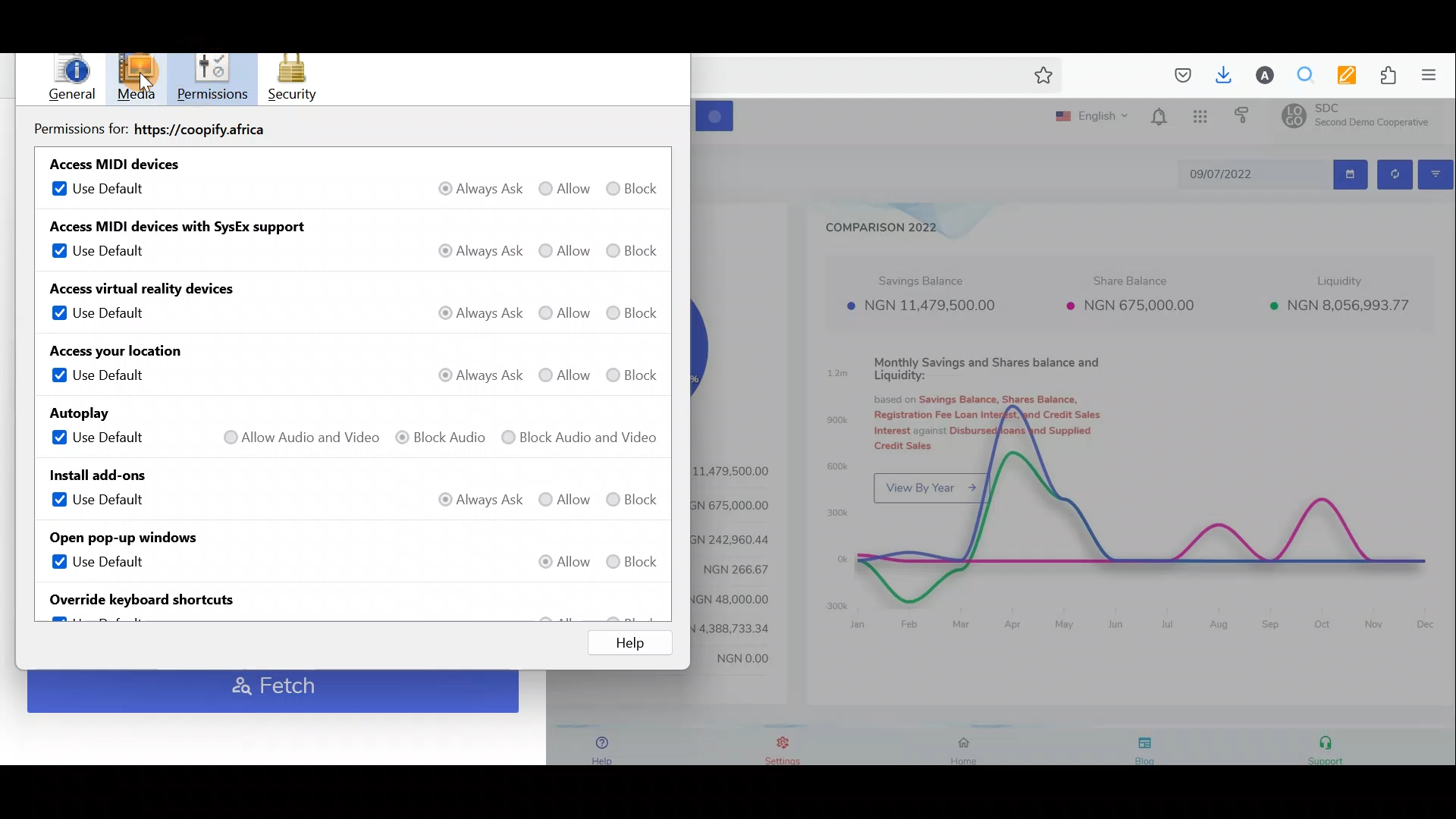 The width and height of the screenshot is (1456, 819). What do you see at coordinates (299, 439) in the screenshot?
I see `Allow audio and video` at bounding box center [299, 439].